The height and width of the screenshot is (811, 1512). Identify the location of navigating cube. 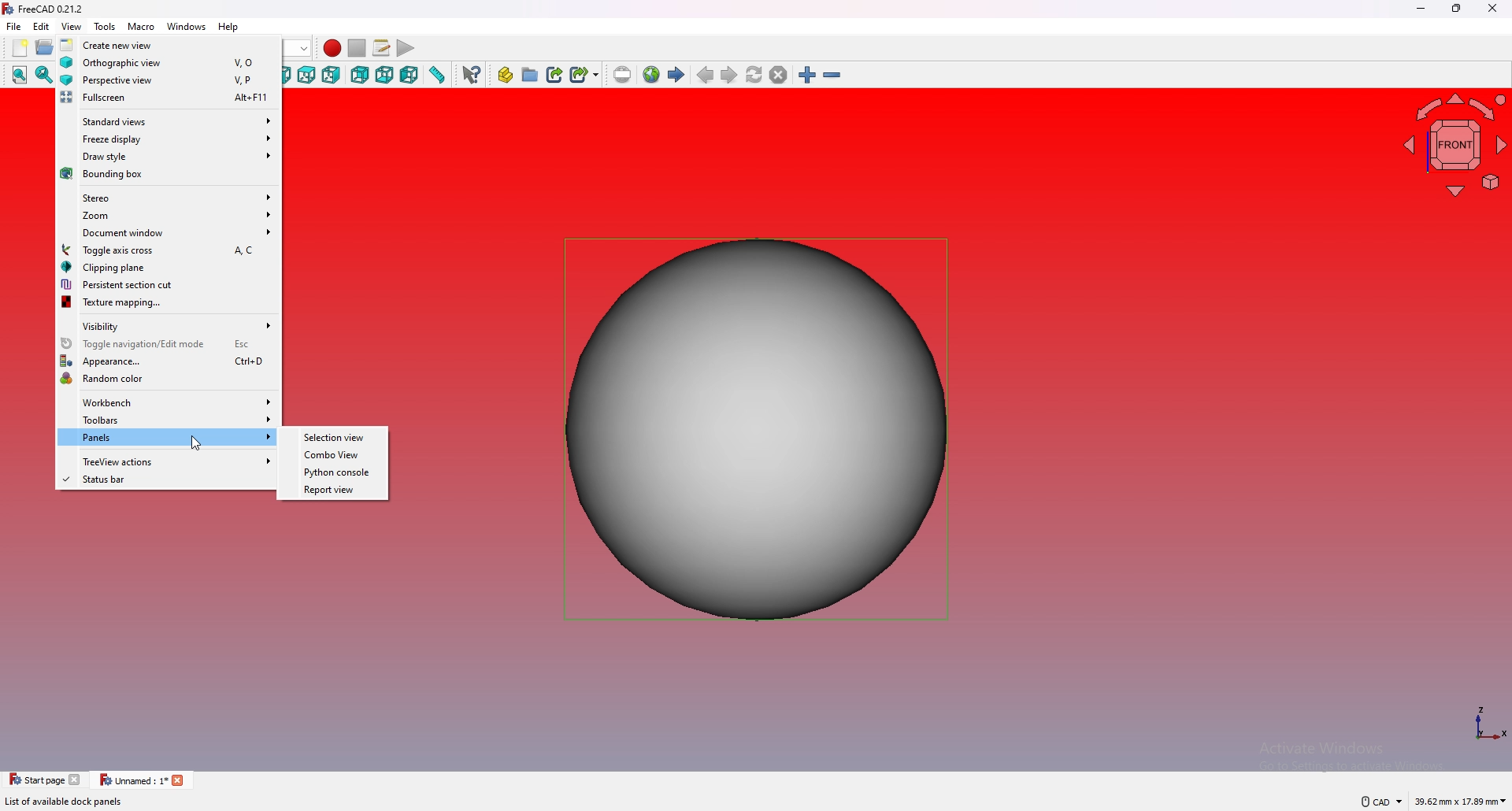
(1455, 144).